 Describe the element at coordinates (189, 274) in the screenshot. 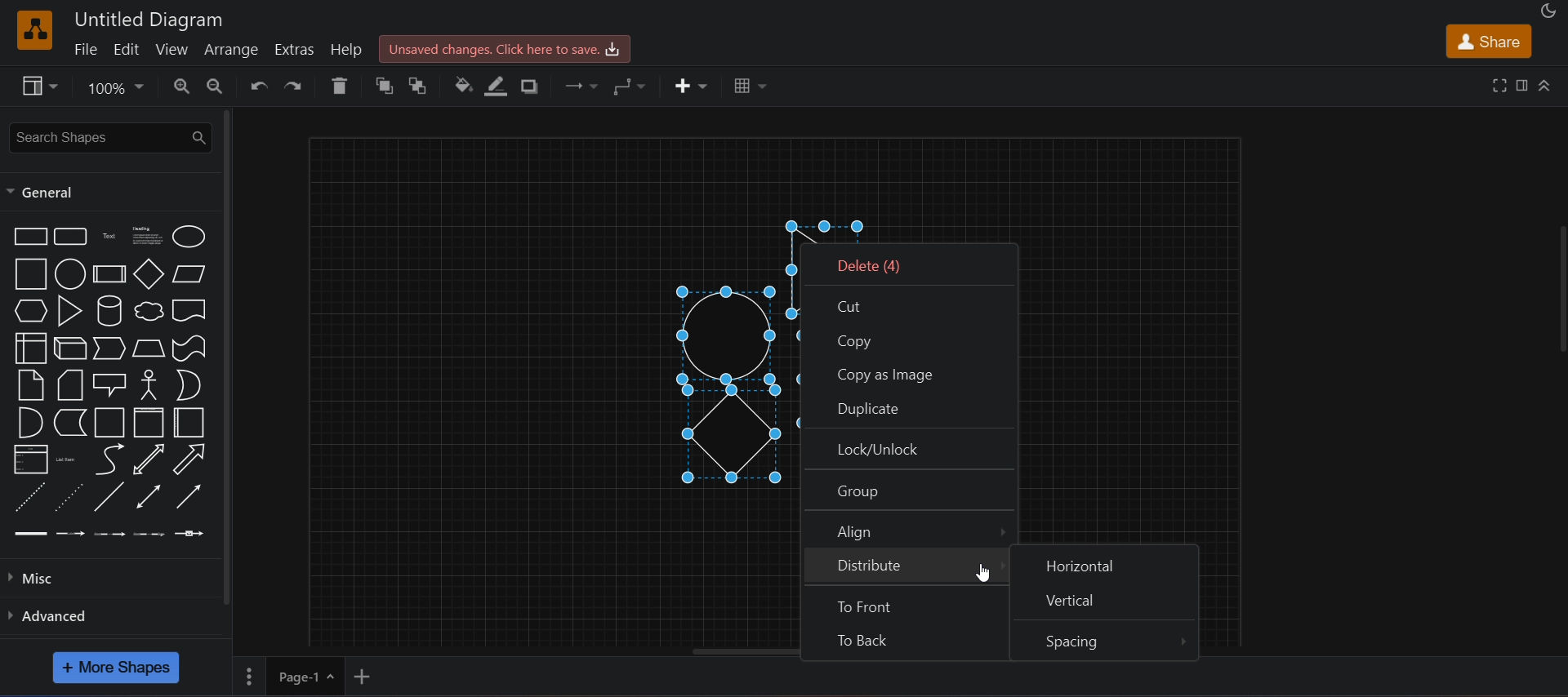

I see `parallelogram` at that location.